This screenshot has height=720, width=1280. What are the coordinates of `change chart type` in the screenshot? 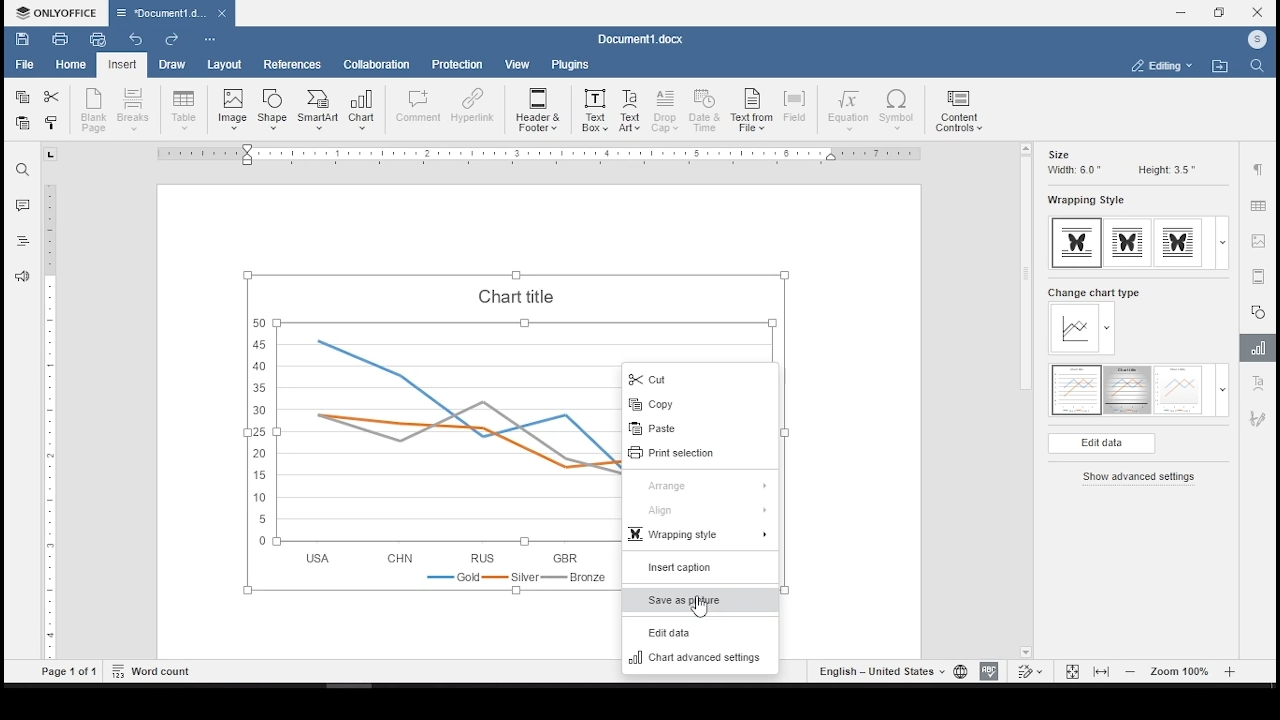 It's located at (1094, 321).